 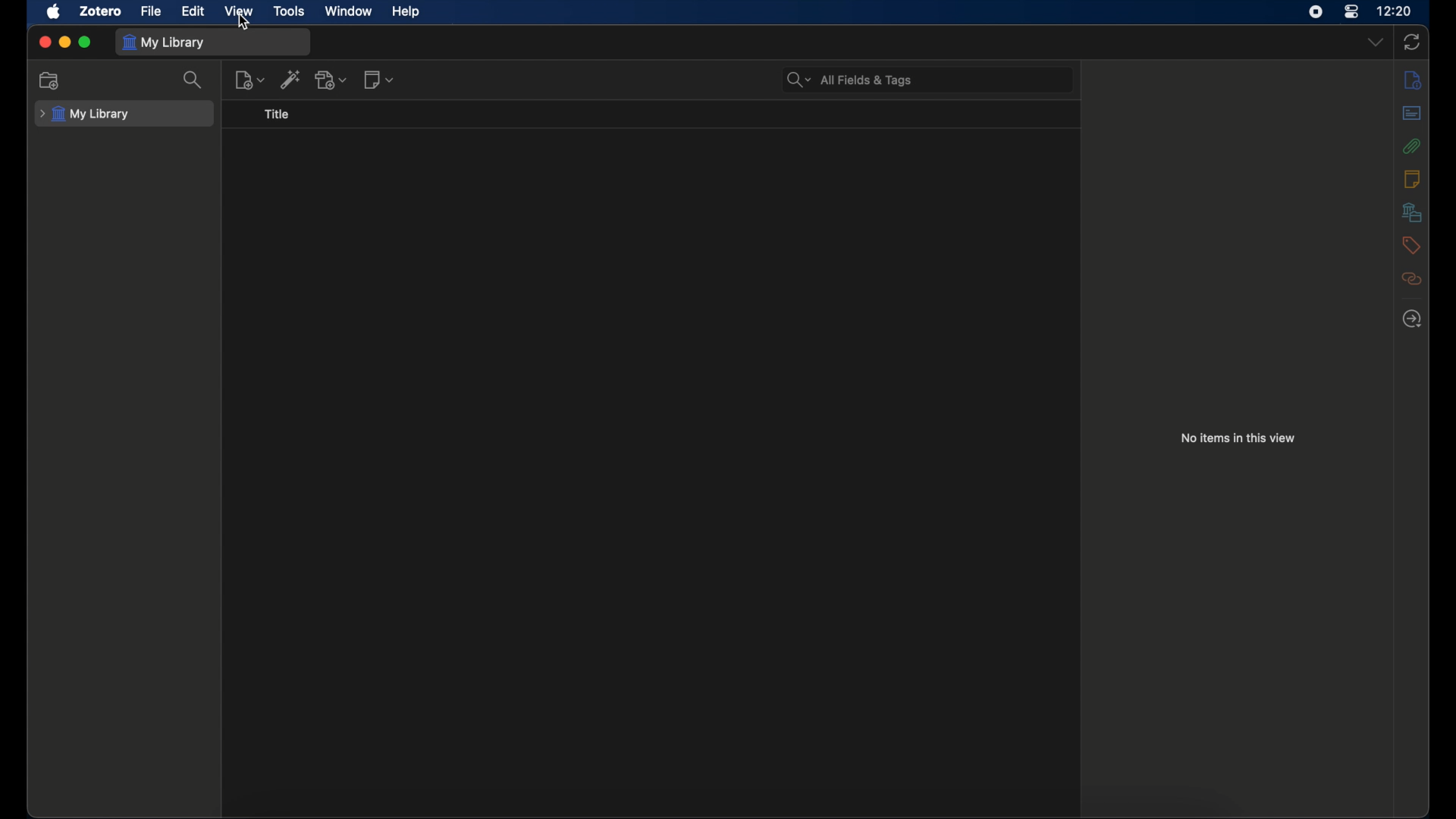 I want to click on title, so click(x=277, y=114).